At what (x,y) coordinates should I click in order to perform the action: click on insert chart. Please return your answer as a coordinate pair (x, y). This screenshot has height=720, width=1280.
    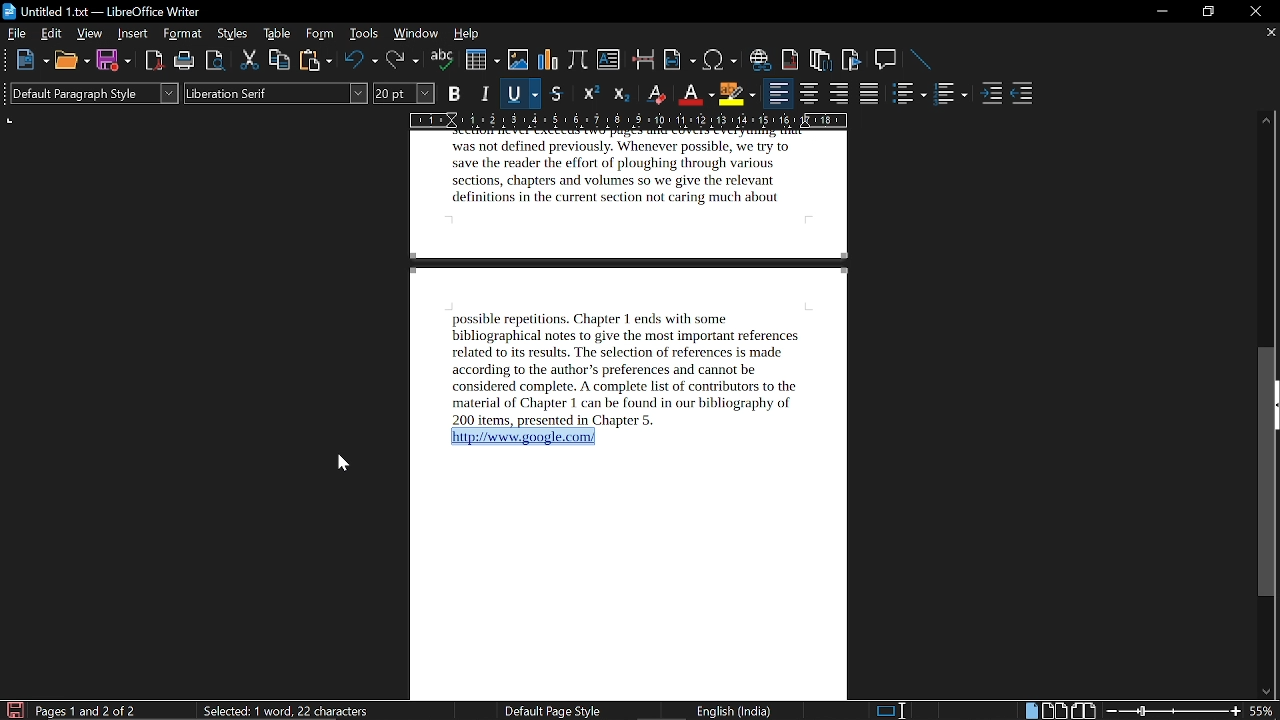
    Looking at the image, I should click on (549, 62).